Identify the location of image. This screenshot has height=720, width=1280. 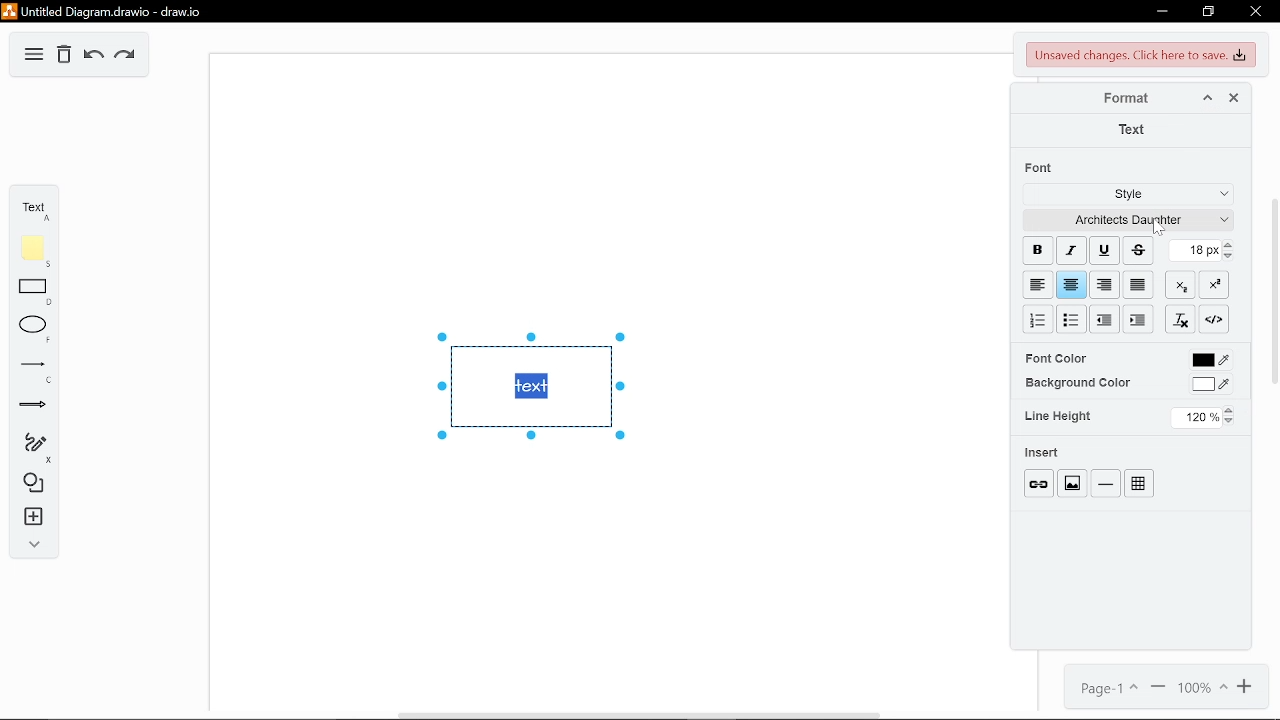
(1072, 481).